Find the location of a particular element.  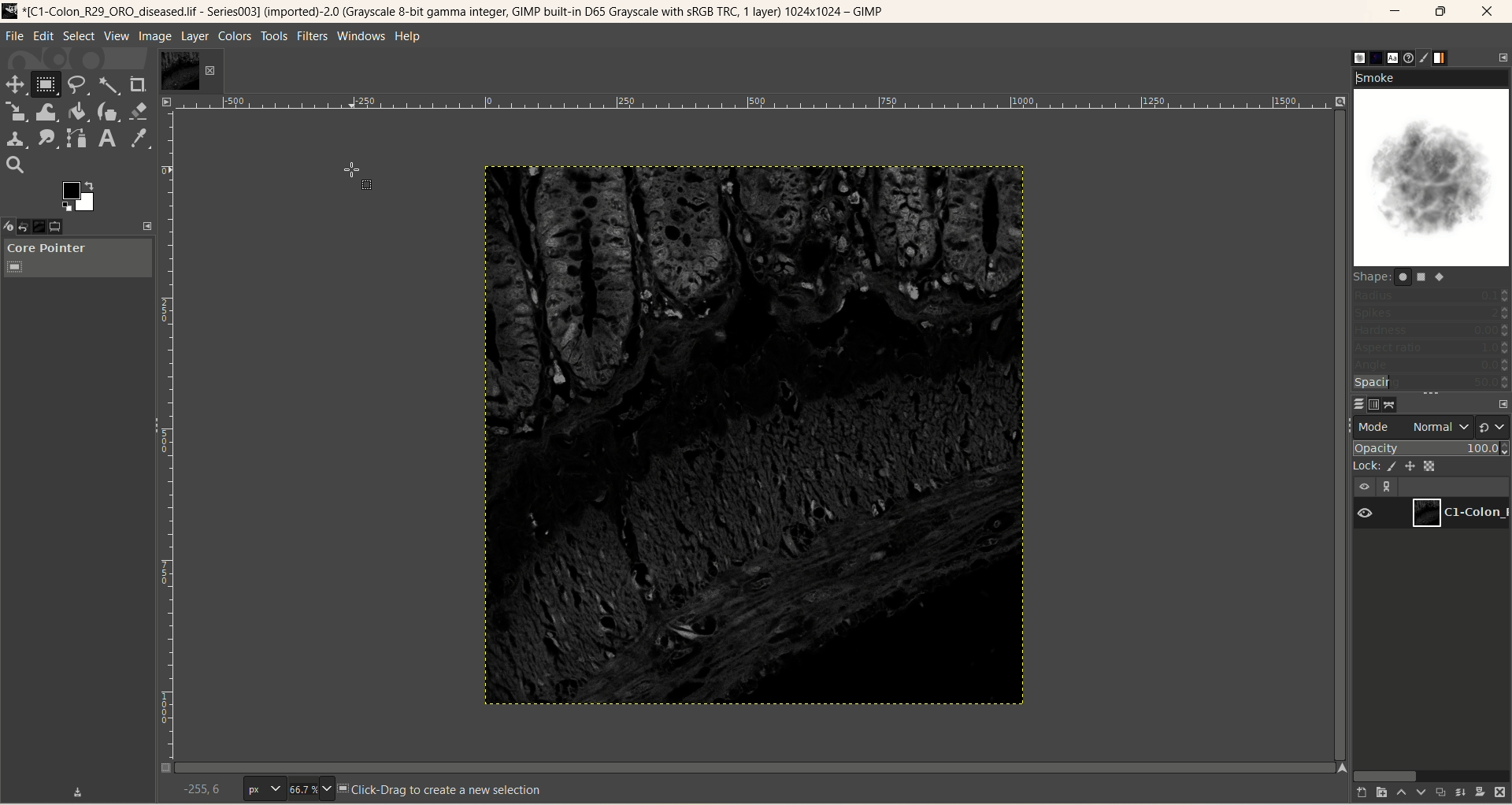

zoom factor is located at coordinates (313, 789).